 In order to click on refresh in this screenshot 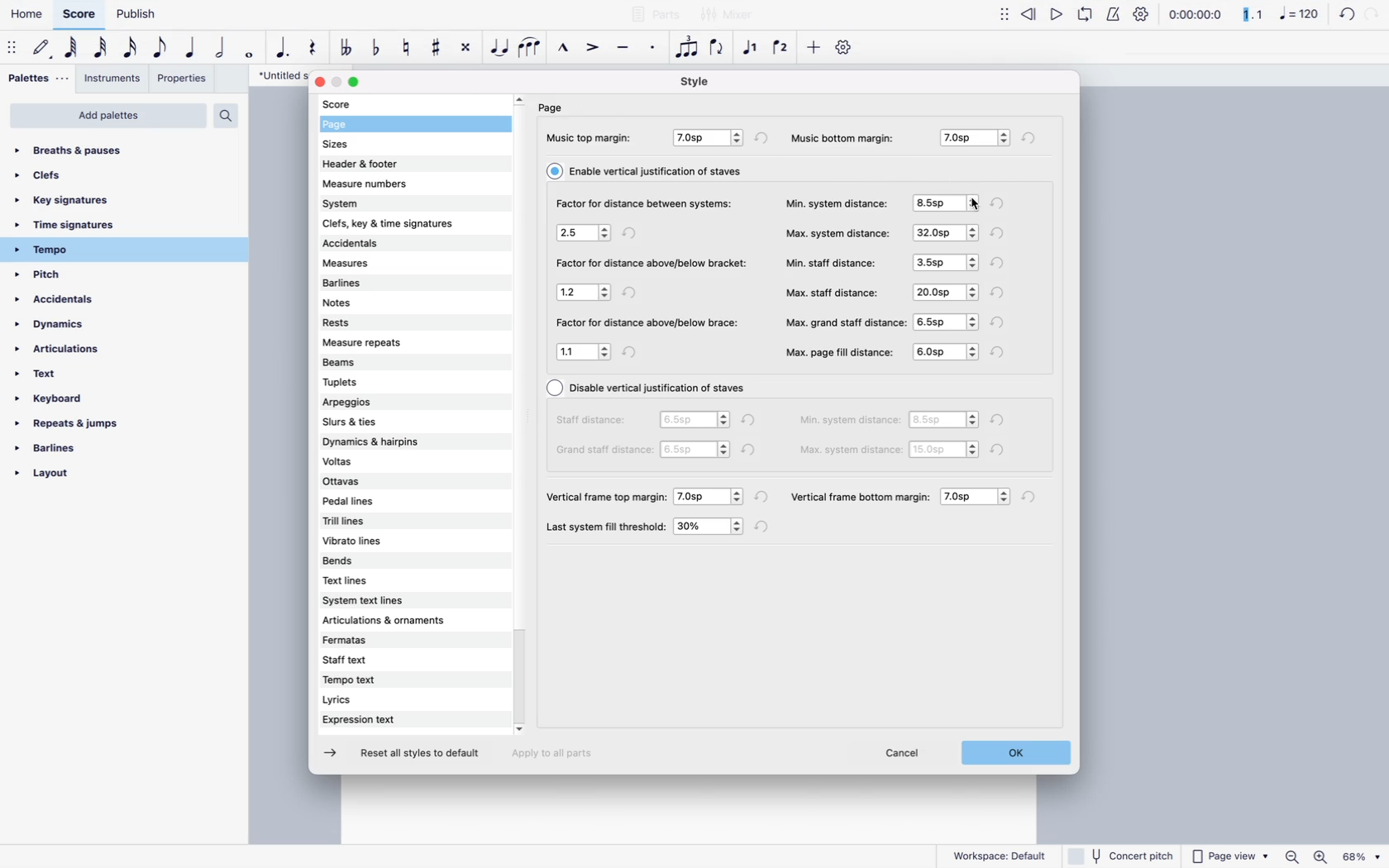, I will do `click(764, 498)`.